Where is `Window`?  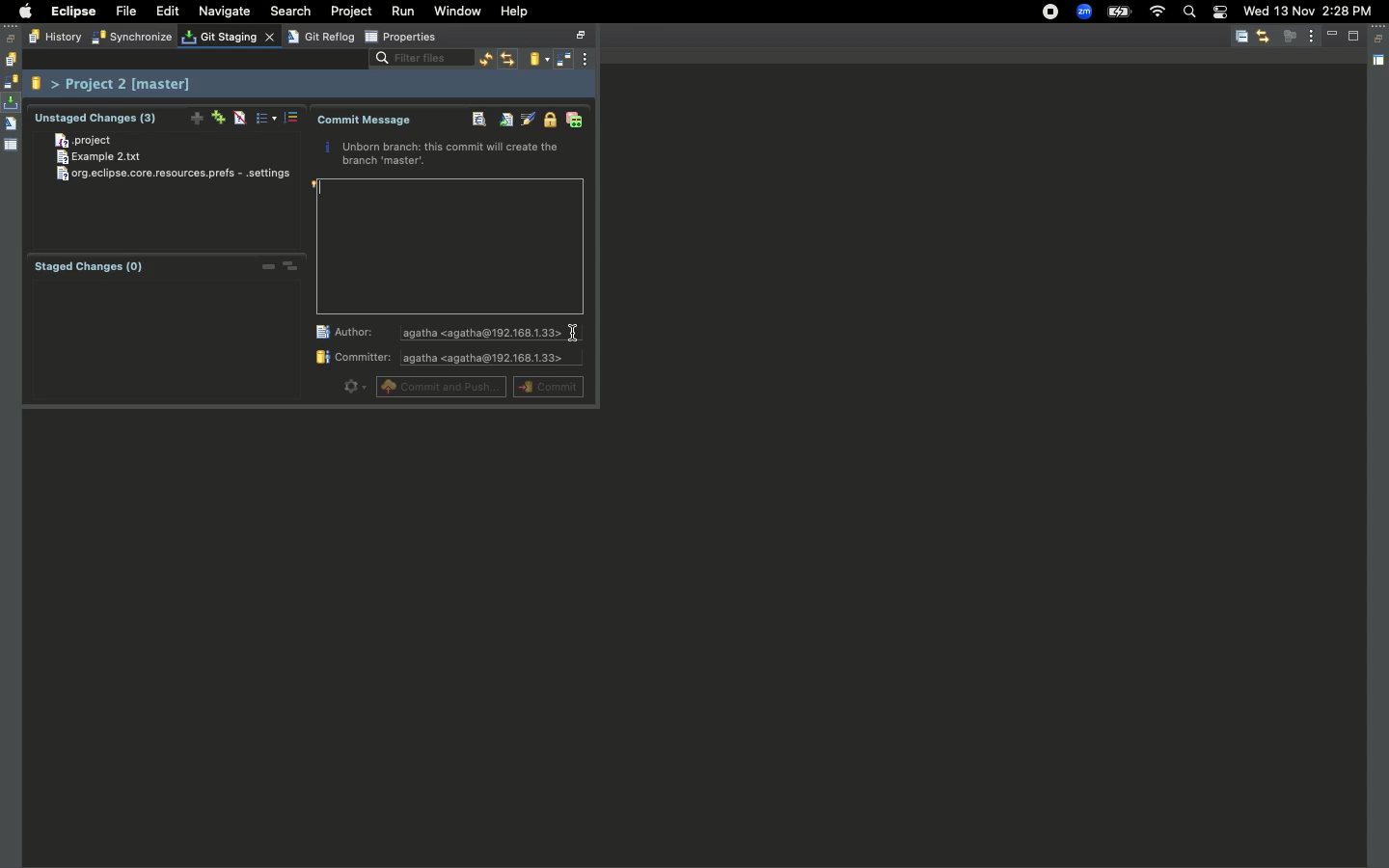 Window is located at coordinates (459, 13).